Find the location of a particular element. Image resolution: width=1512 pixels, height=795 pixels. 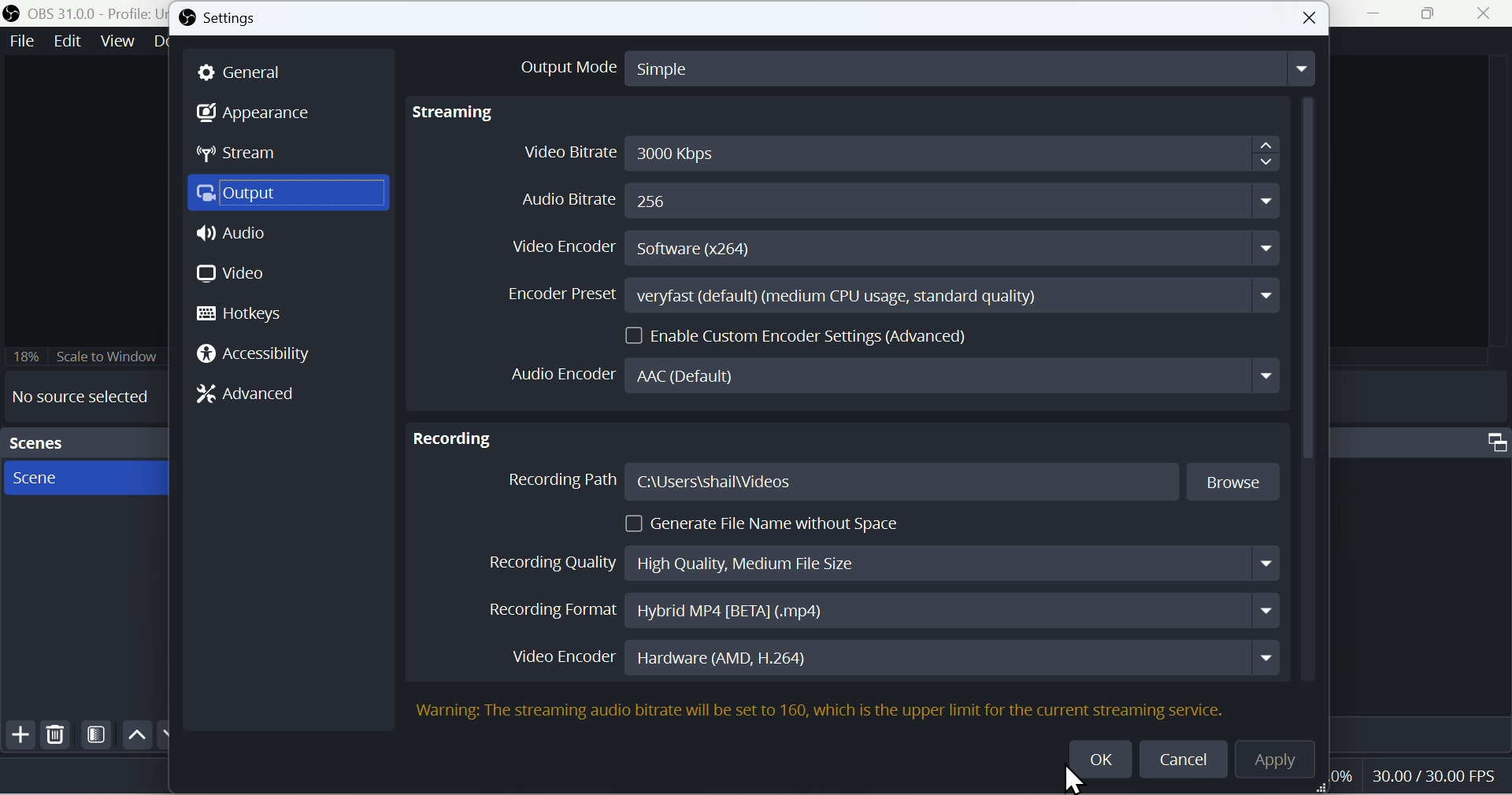

Delete is located at coordinates (56, 738).